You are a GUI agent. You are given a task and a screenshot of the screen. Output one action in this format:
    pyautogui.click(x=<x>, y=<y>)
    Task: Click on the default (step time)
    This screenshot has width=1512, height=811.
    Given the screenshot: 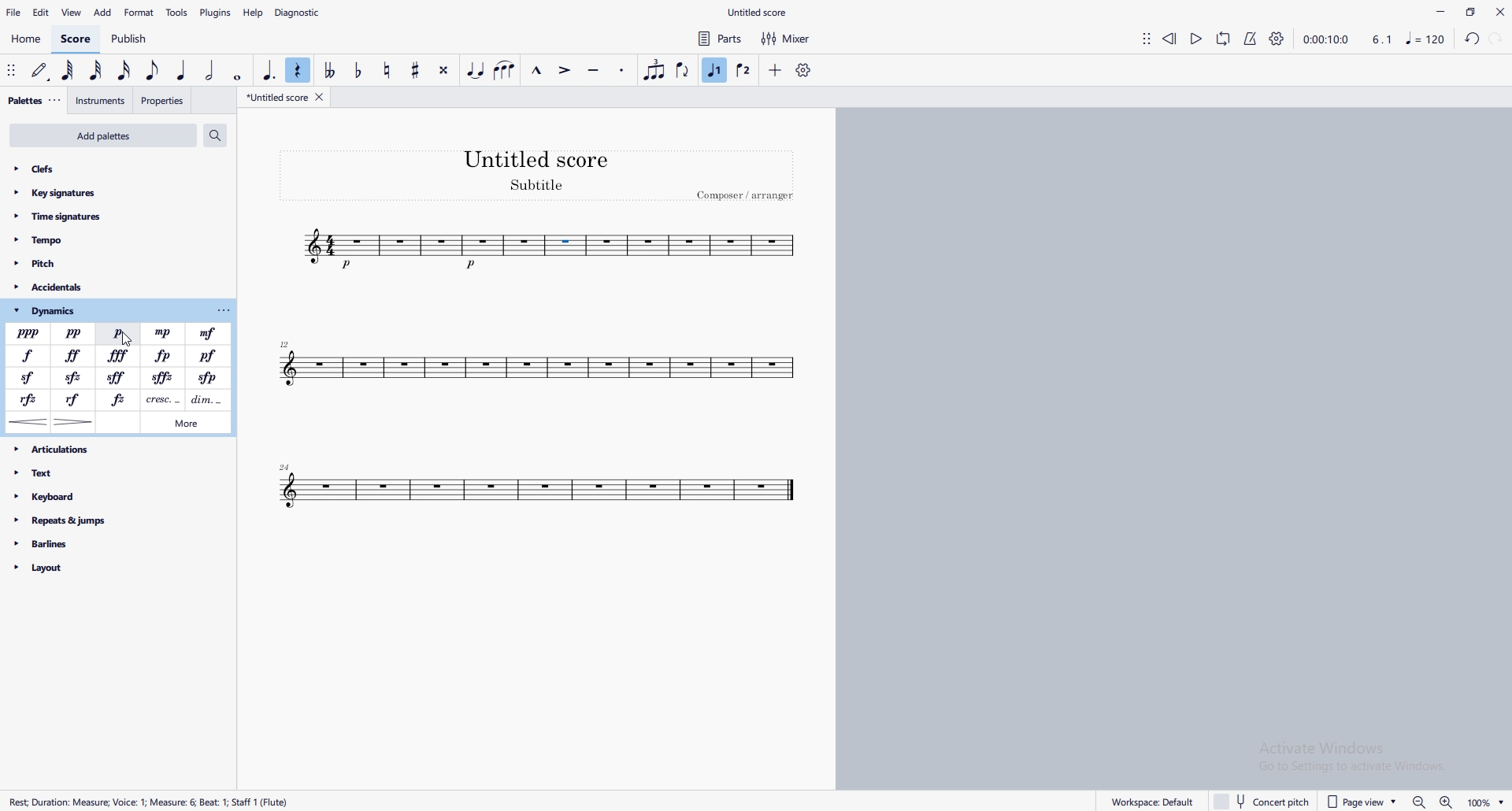 What is the action you would take?
    pyautogui.click(x=41, y=72)
    